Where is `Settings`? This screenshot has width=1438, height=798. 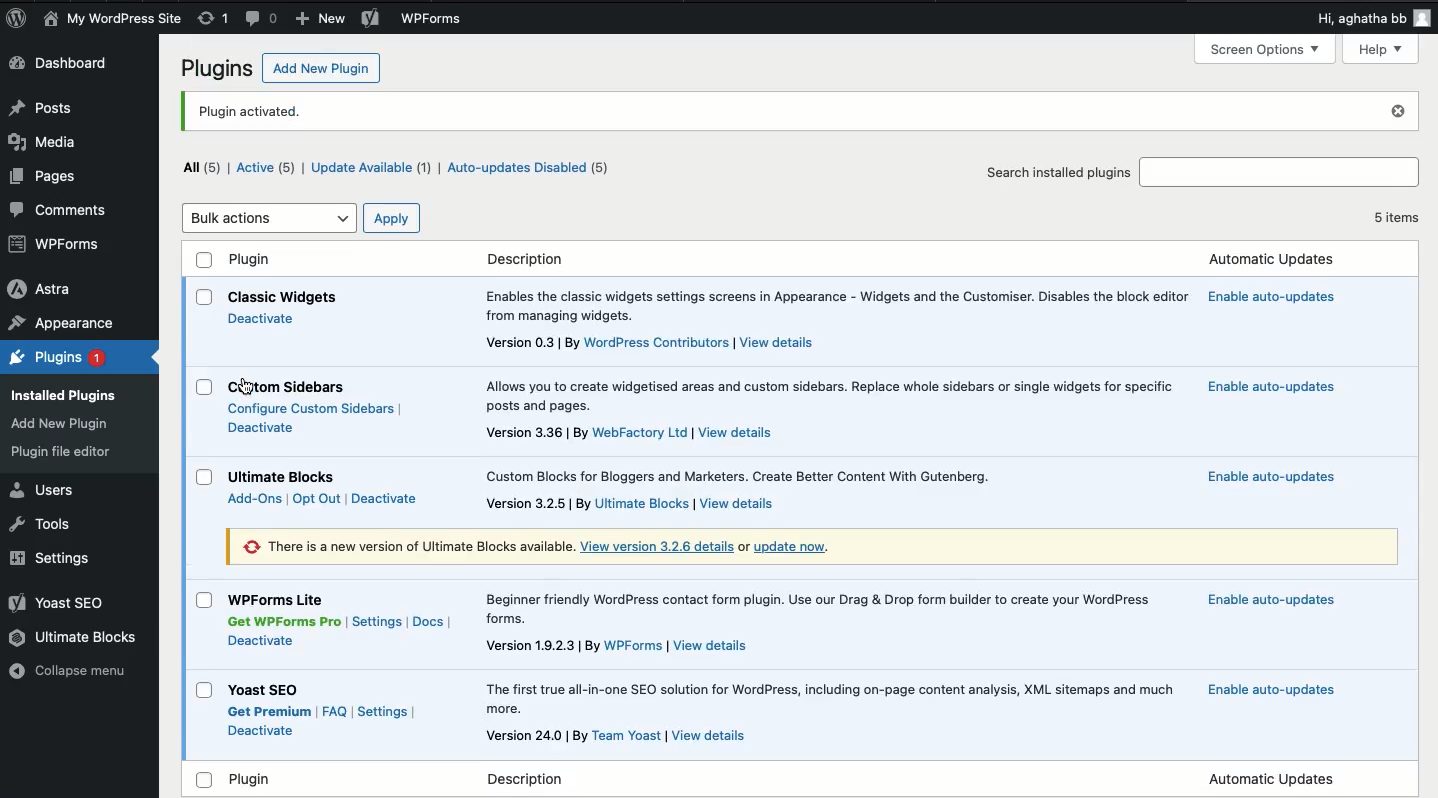 Settings is located at coordinates (53, 558).